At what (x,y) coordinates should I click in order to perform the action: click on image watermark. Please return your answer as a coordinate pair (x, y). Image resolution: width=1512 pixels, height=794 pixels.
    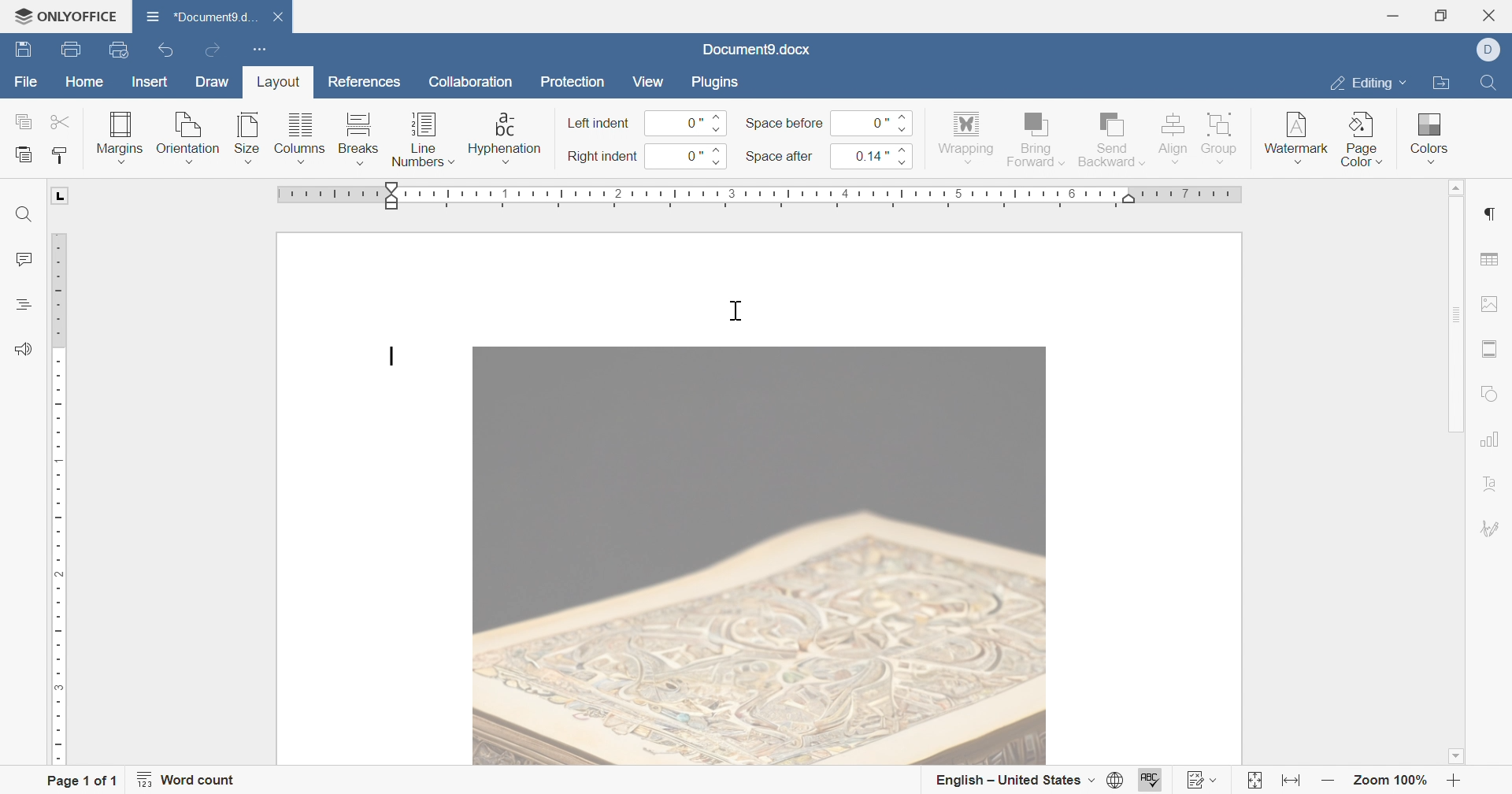
    Looking at the image, I should click on (759, 556).